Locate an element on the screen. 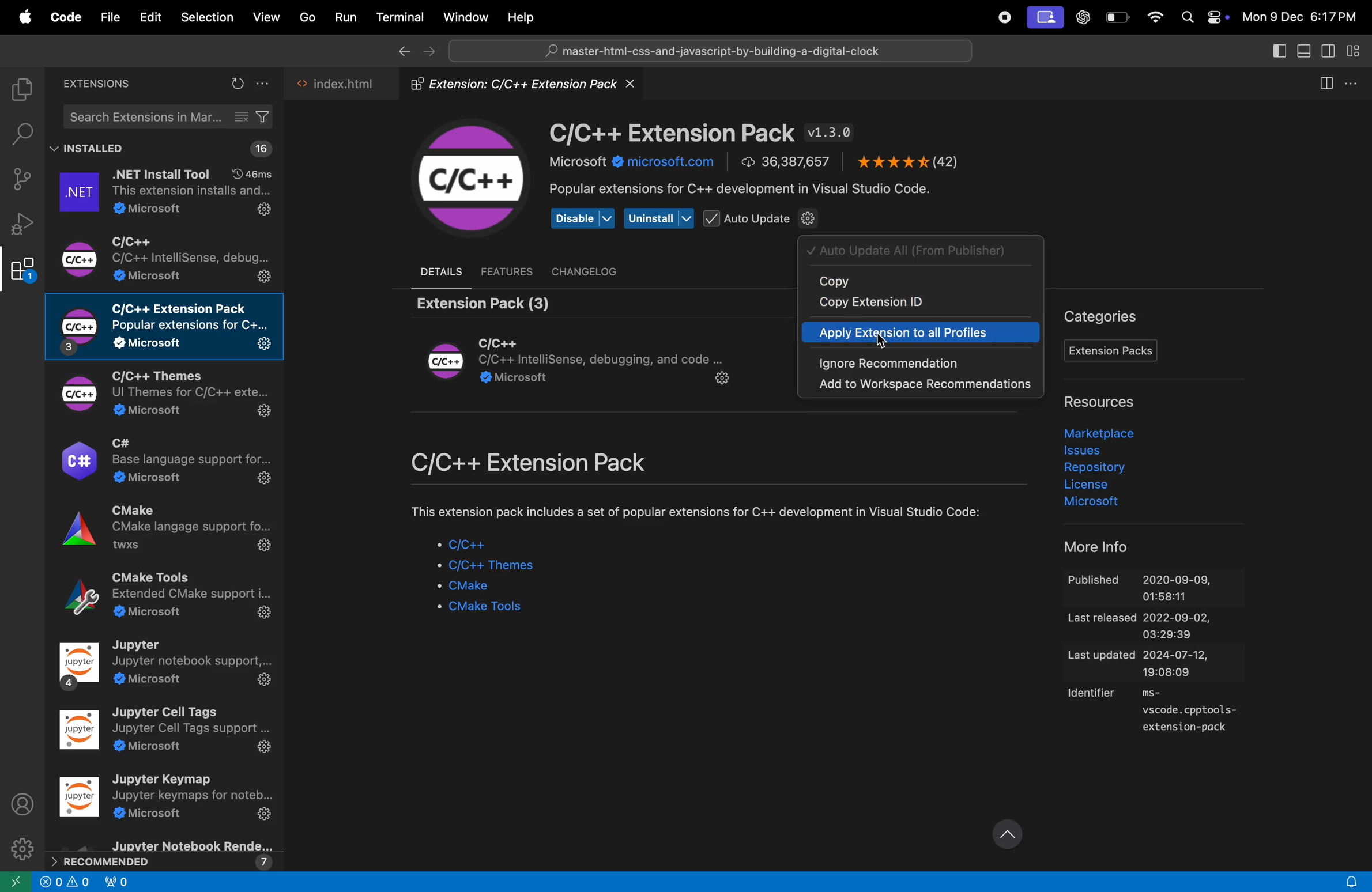 The image size is (1372, 892). index.html is located at coordinates (342, 82).